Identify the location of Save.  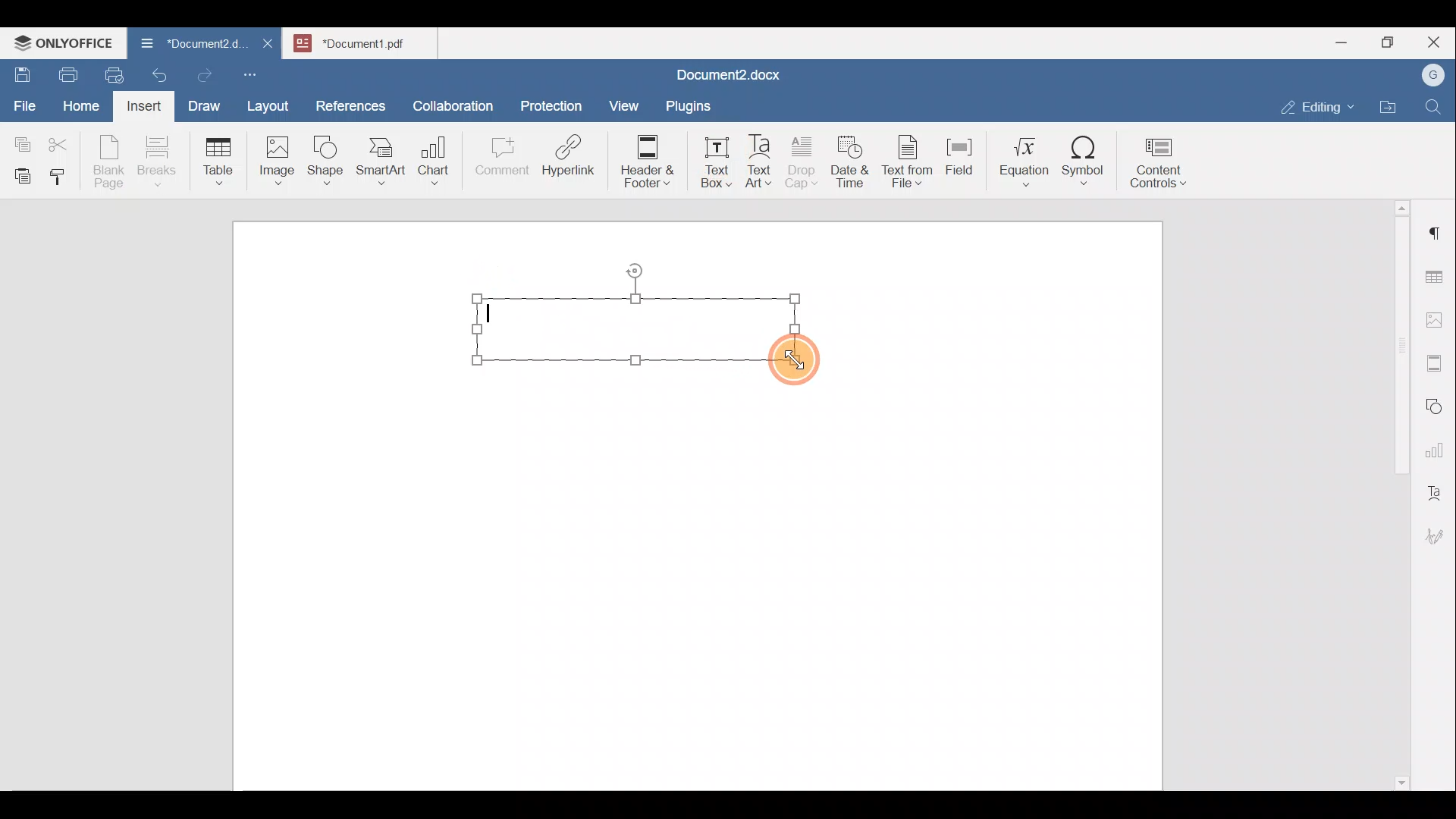
(21, 71).